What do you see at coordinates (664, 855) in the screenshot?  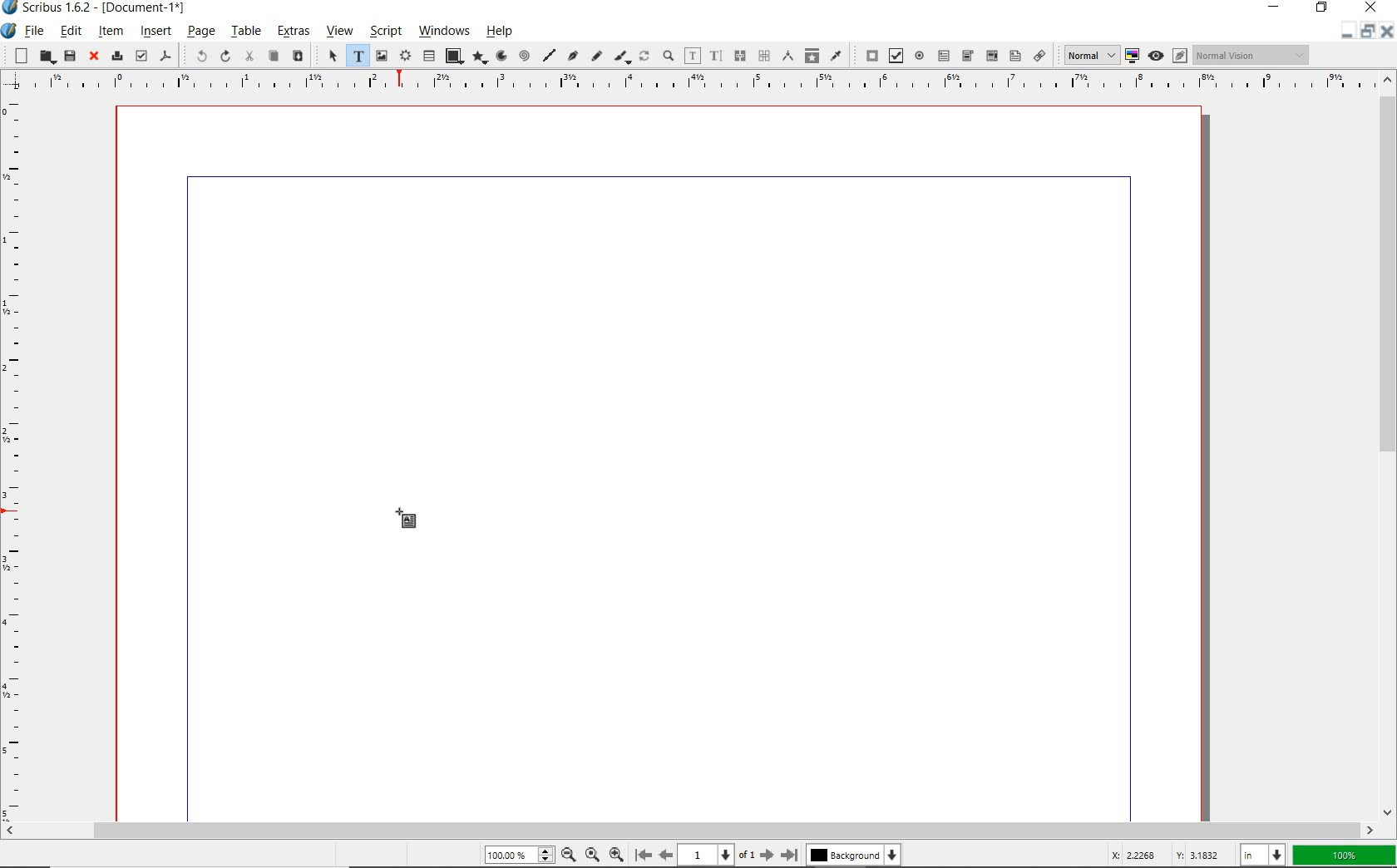 I see `Previous page` at bounding box center [664, 855].